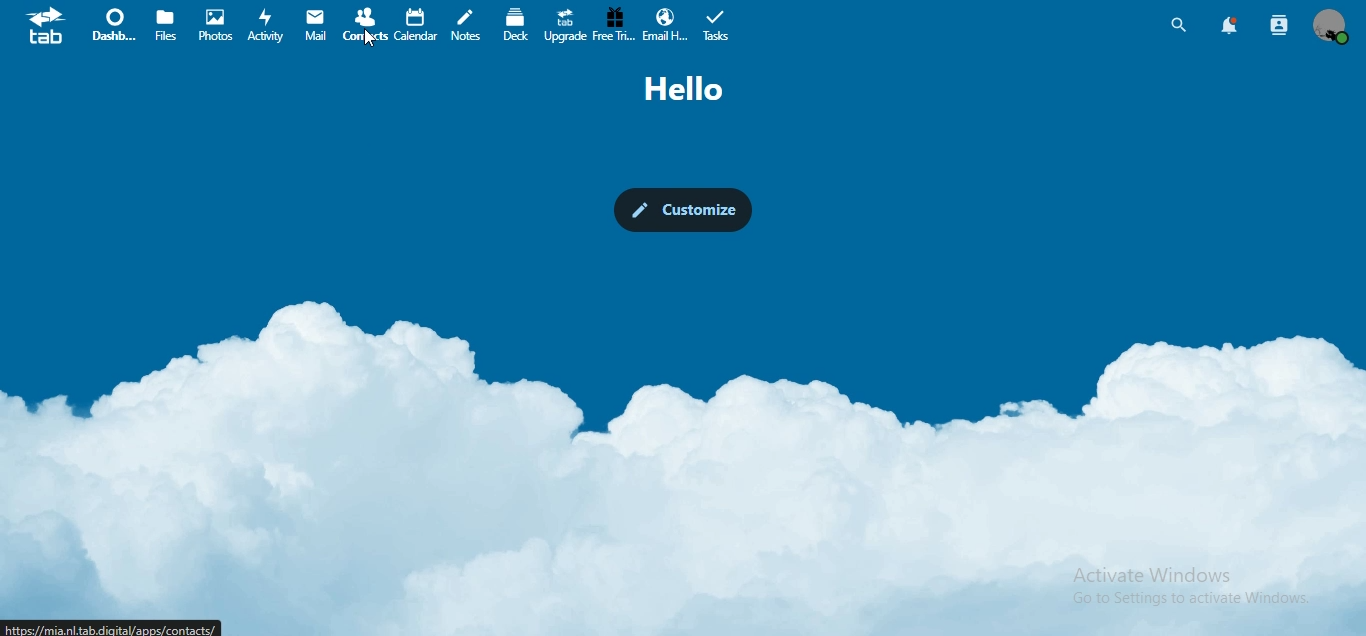 Image resolution: width=1366 pixels, height=636 pixels. What do you see at coordinates (48, 25) in the screenshot?
I see `icon` at bounding box center [48, 25].